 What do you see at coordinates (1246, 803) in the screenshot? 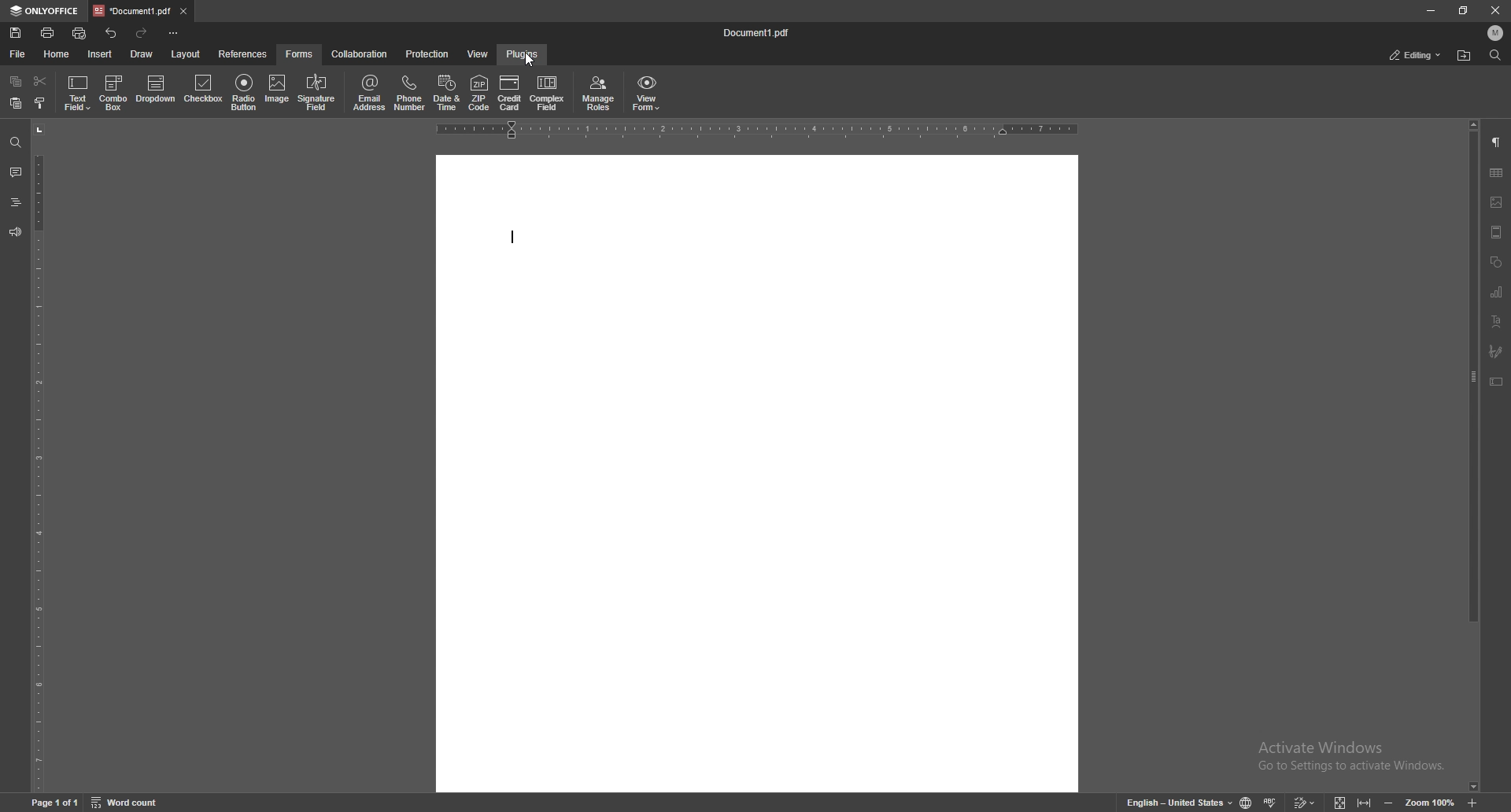
I see `change doc language` at bounding box center [1246, 803].